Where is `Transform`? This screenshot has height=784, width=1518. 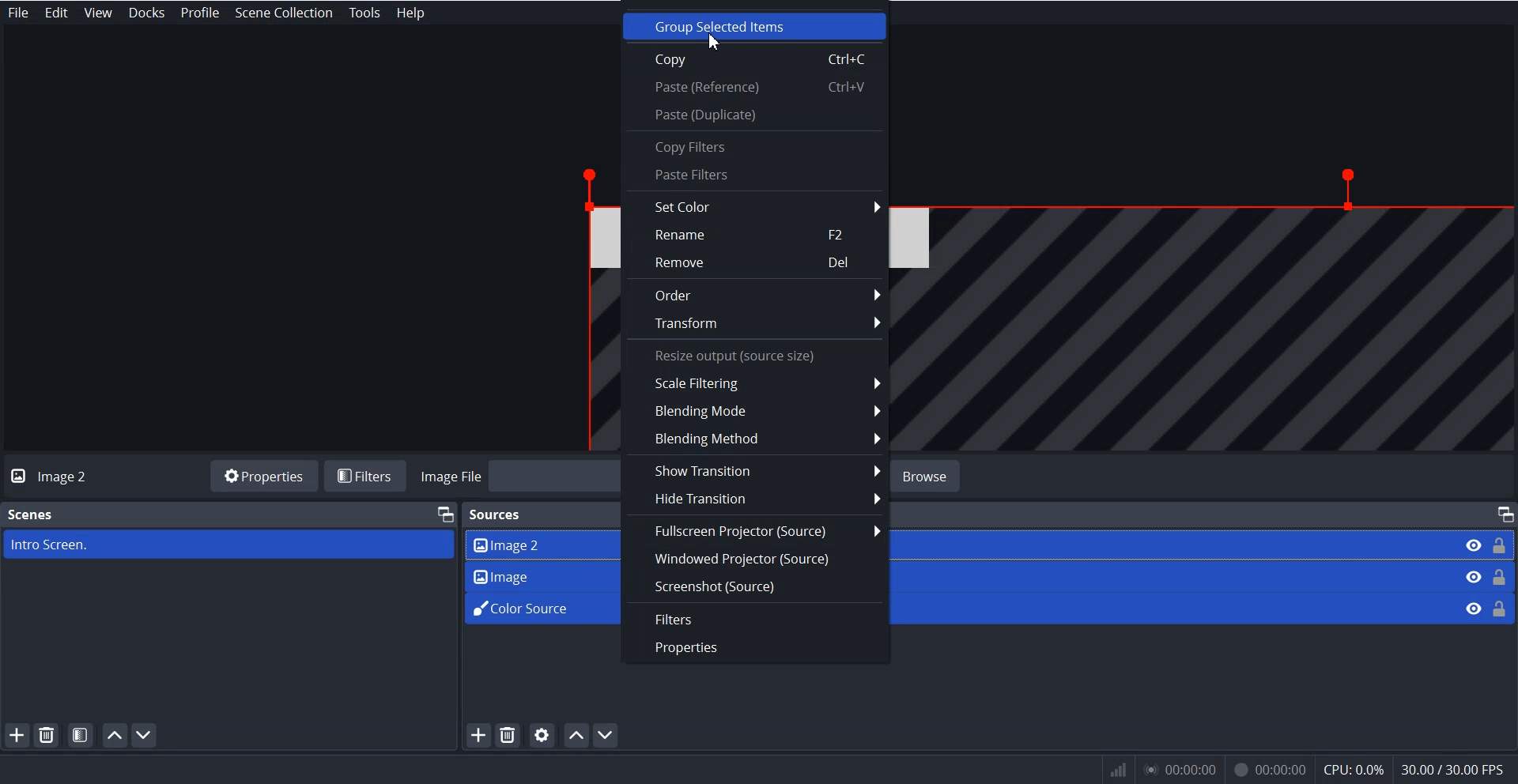 Transform is located at coordinates (754, 323).